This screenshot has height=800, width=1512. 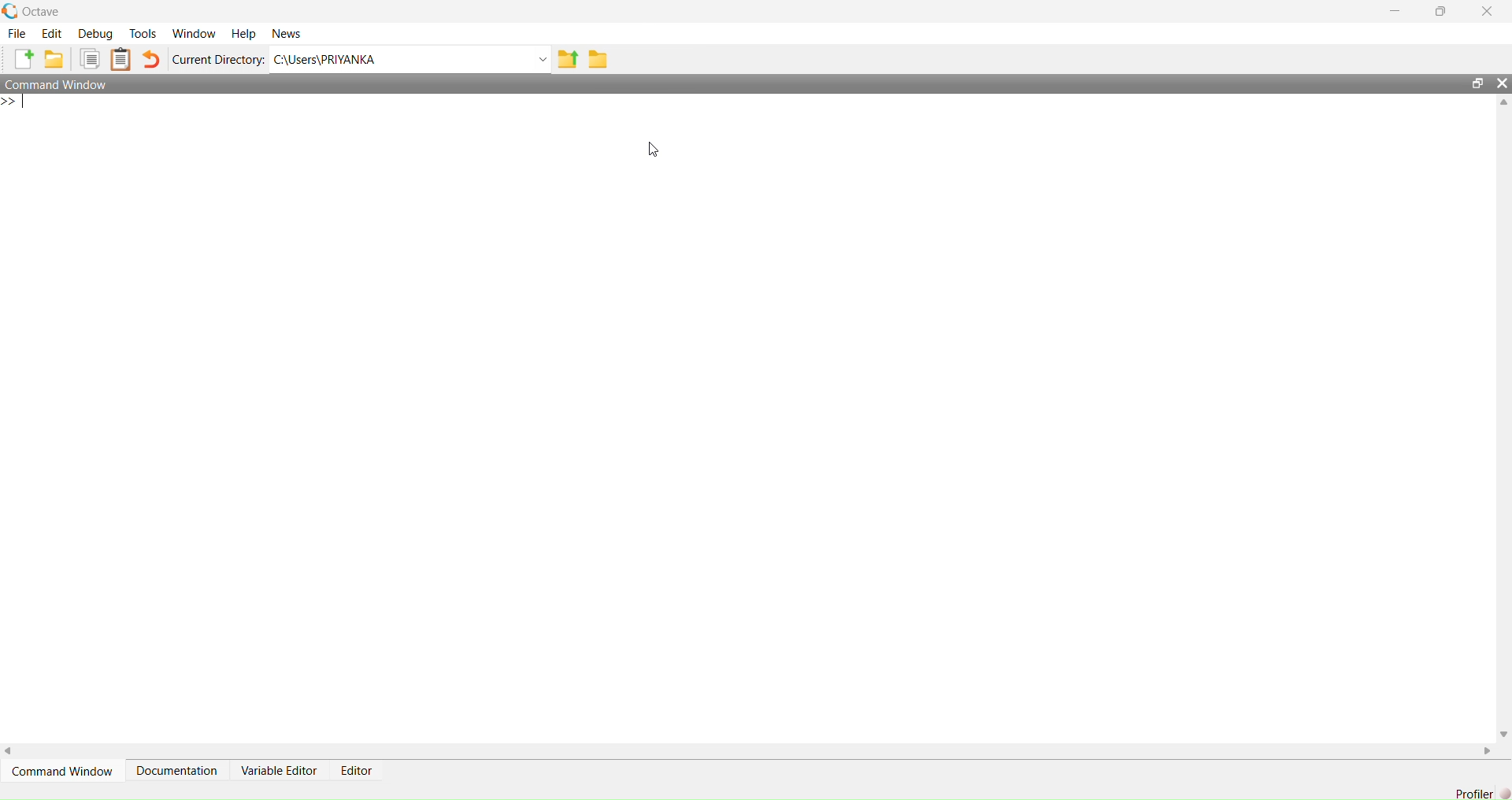 What do you see at coordinates (57, 84) in the screenshot?
I see `Command Window` at bounding box center [57, 84].